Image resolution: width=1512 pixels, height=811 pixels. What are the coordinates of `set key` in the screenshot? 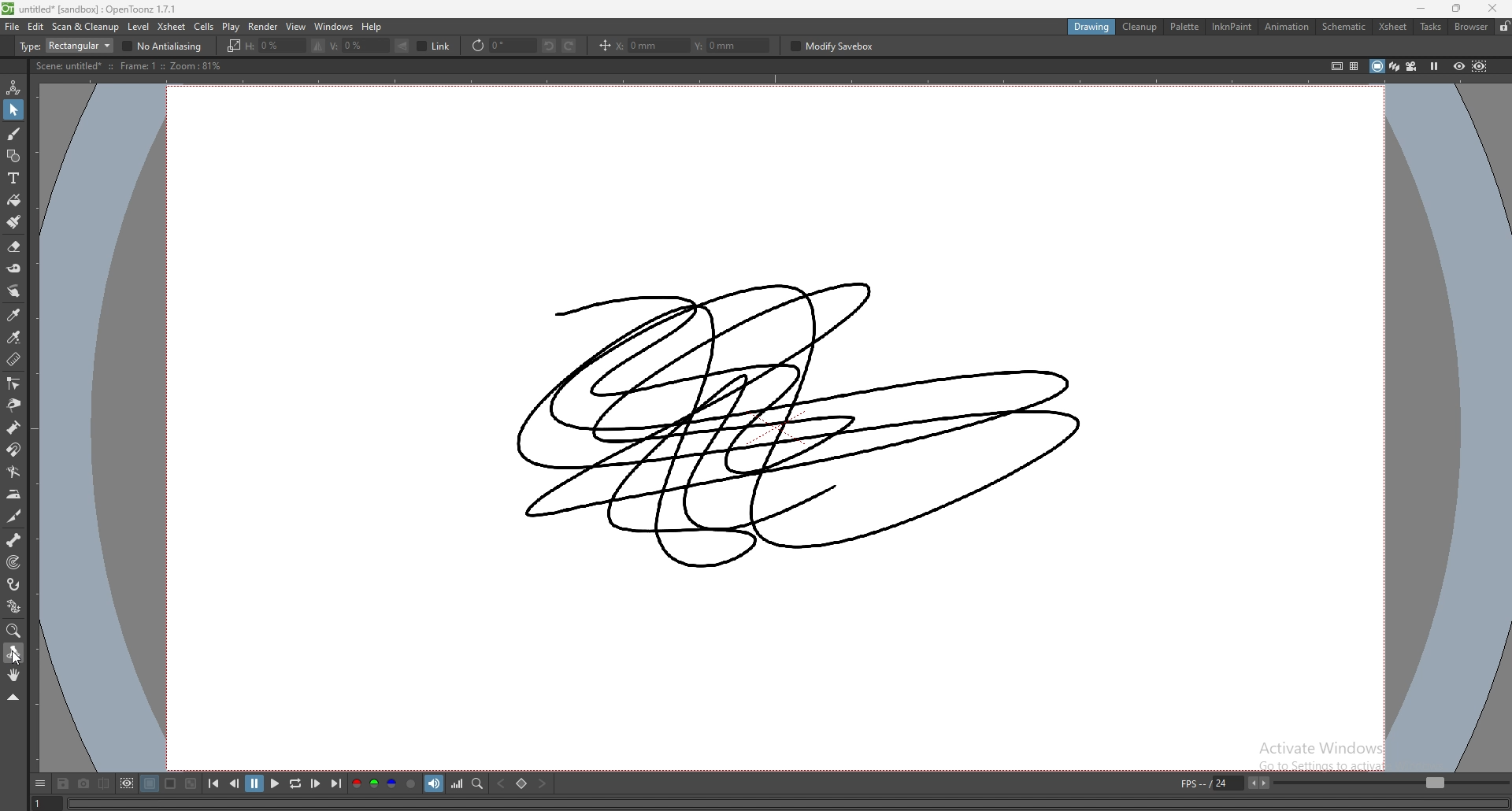 It's located at (521, 783).